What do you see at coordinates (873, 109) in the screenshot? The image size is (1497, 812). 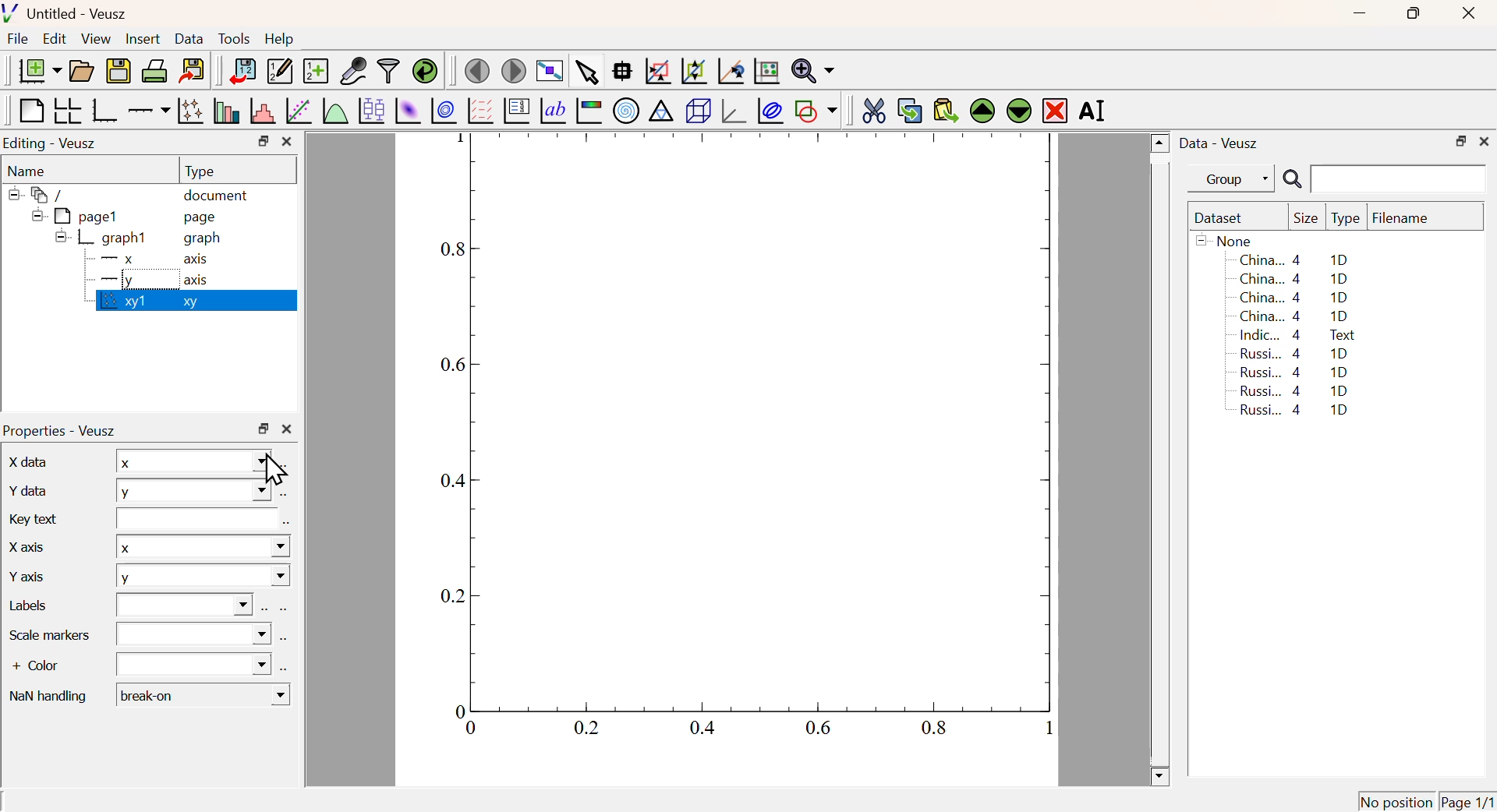 I see `Cut` at bounding box center [873, 109].